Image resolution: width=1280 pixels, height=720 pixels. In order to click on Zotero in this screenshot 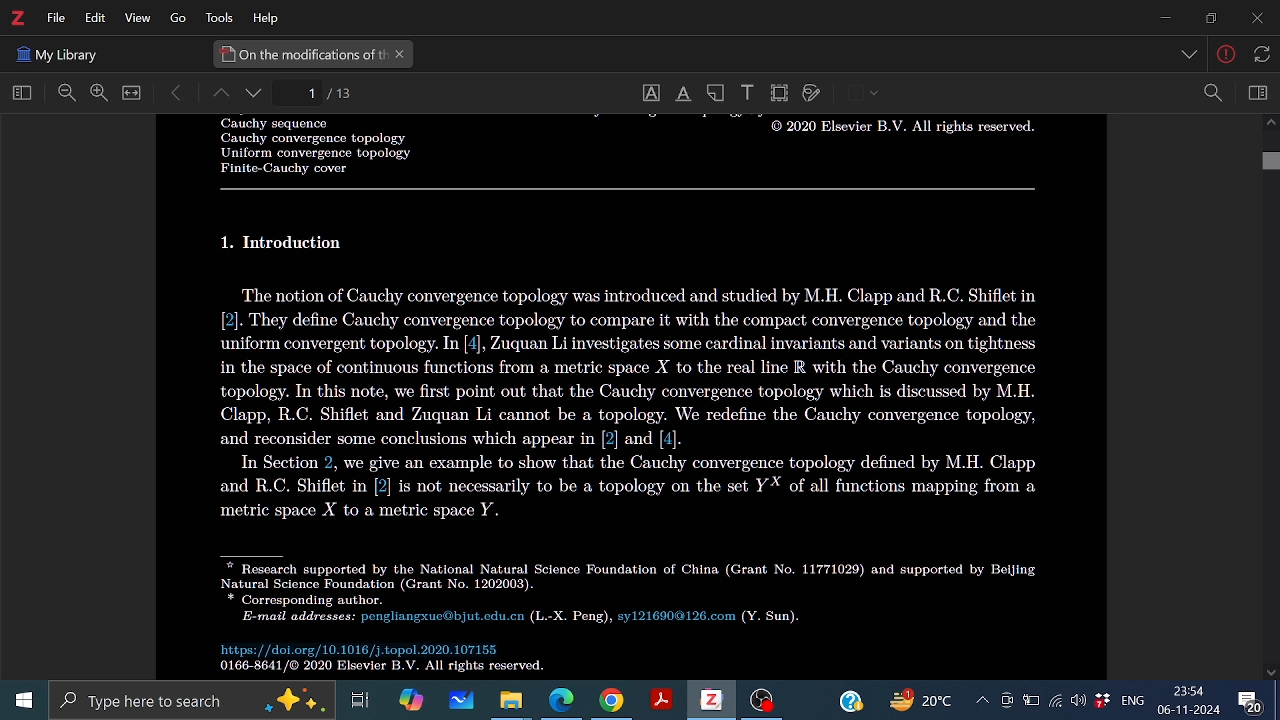, I will do `click(17, 18)`.